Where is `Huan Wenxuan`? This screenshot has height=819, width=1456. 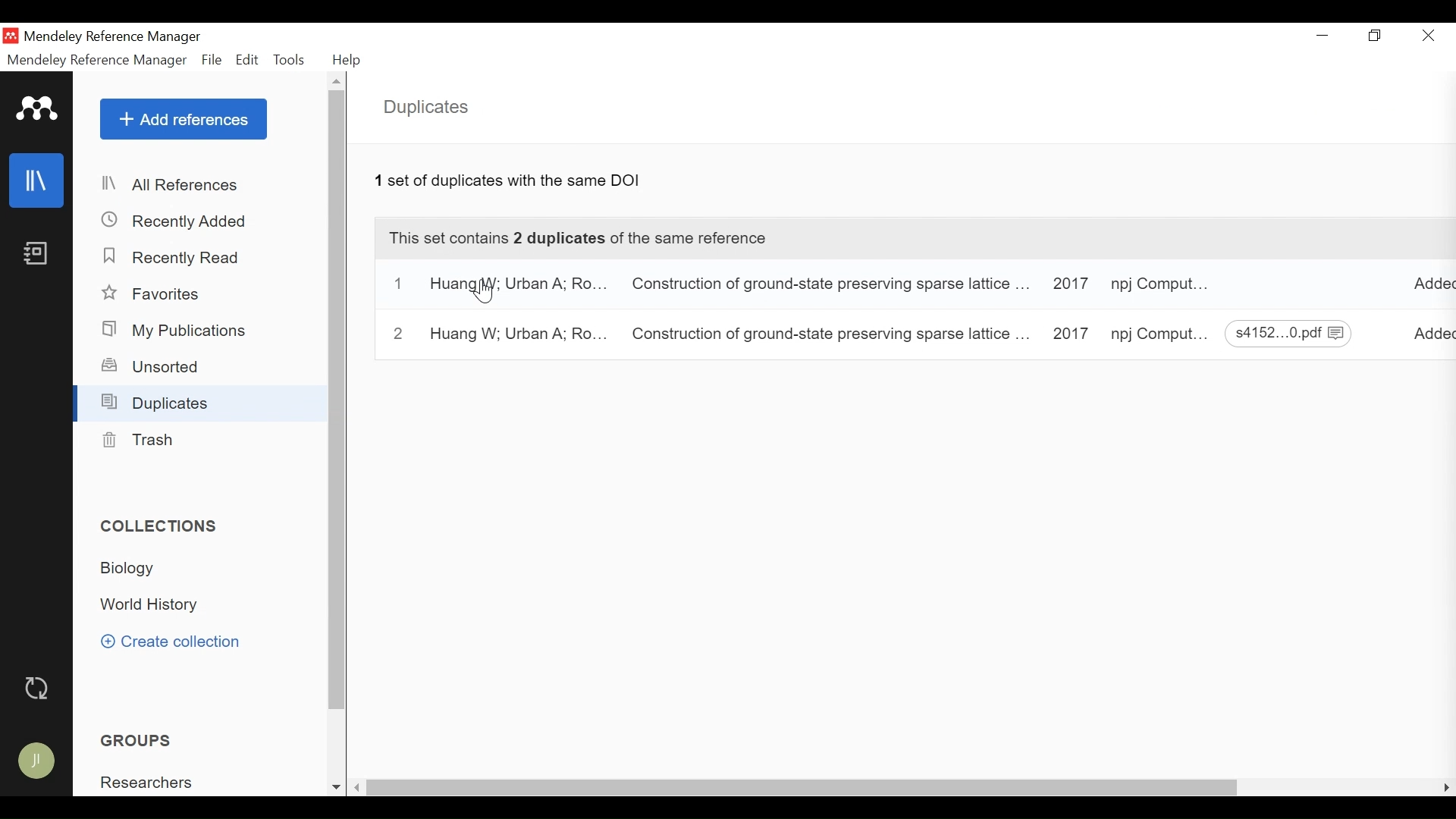 Huan Wenxuan is located at coordinates (513, 335).